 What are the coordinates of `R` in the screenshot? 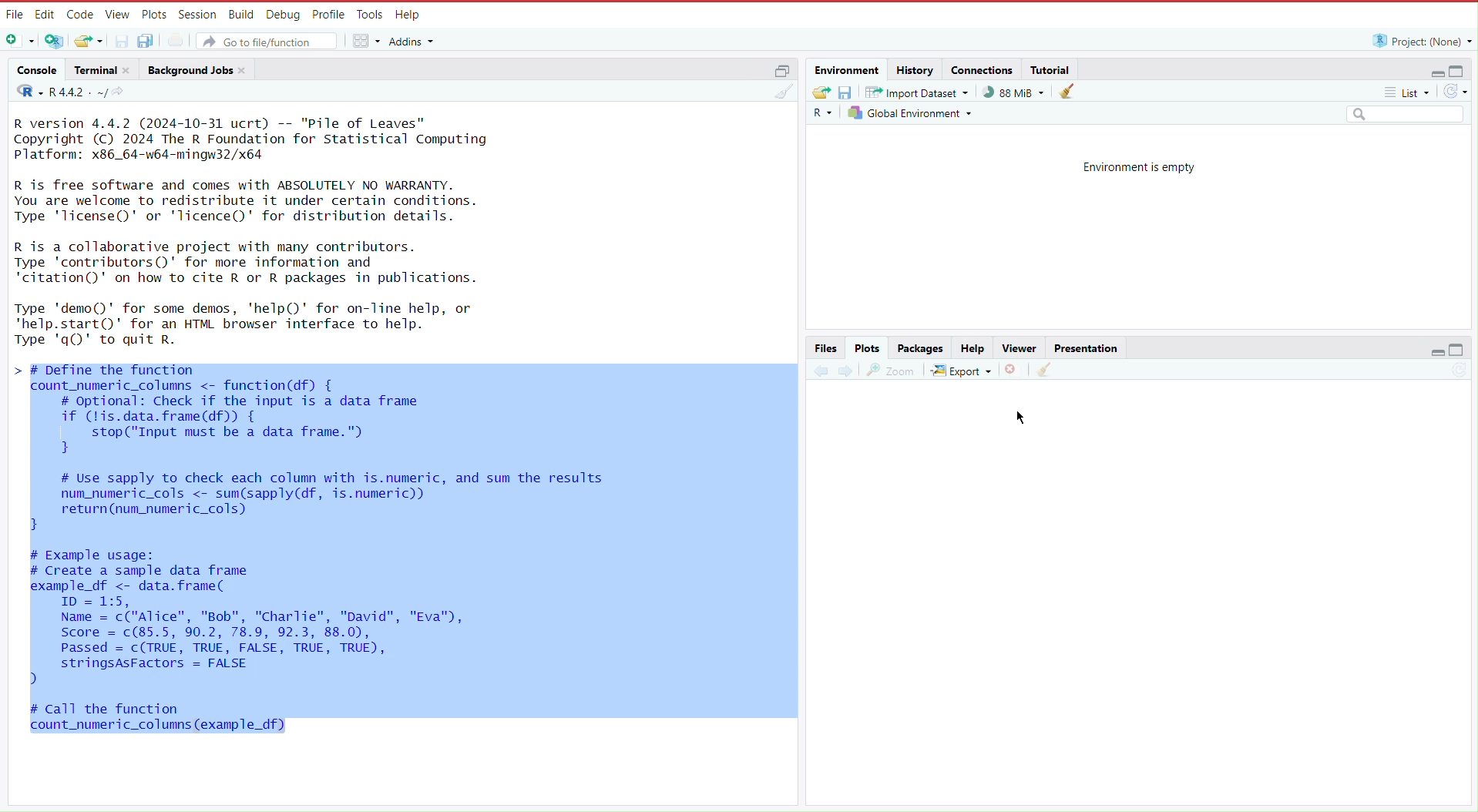 It's located at (25, 93).